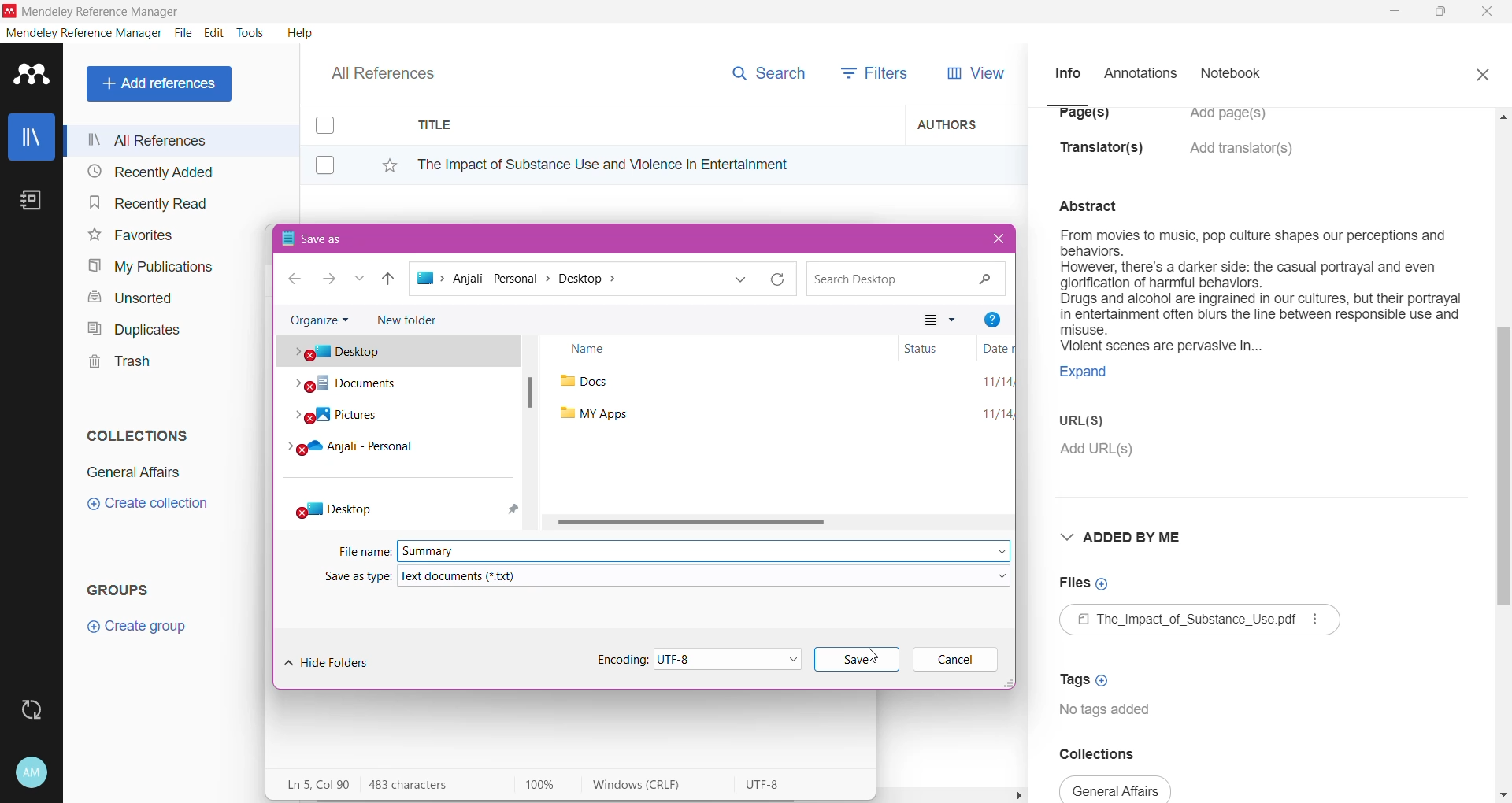 This screenshot has height=803, width=1512. I want to click on Previous locations, so click(743, 279).